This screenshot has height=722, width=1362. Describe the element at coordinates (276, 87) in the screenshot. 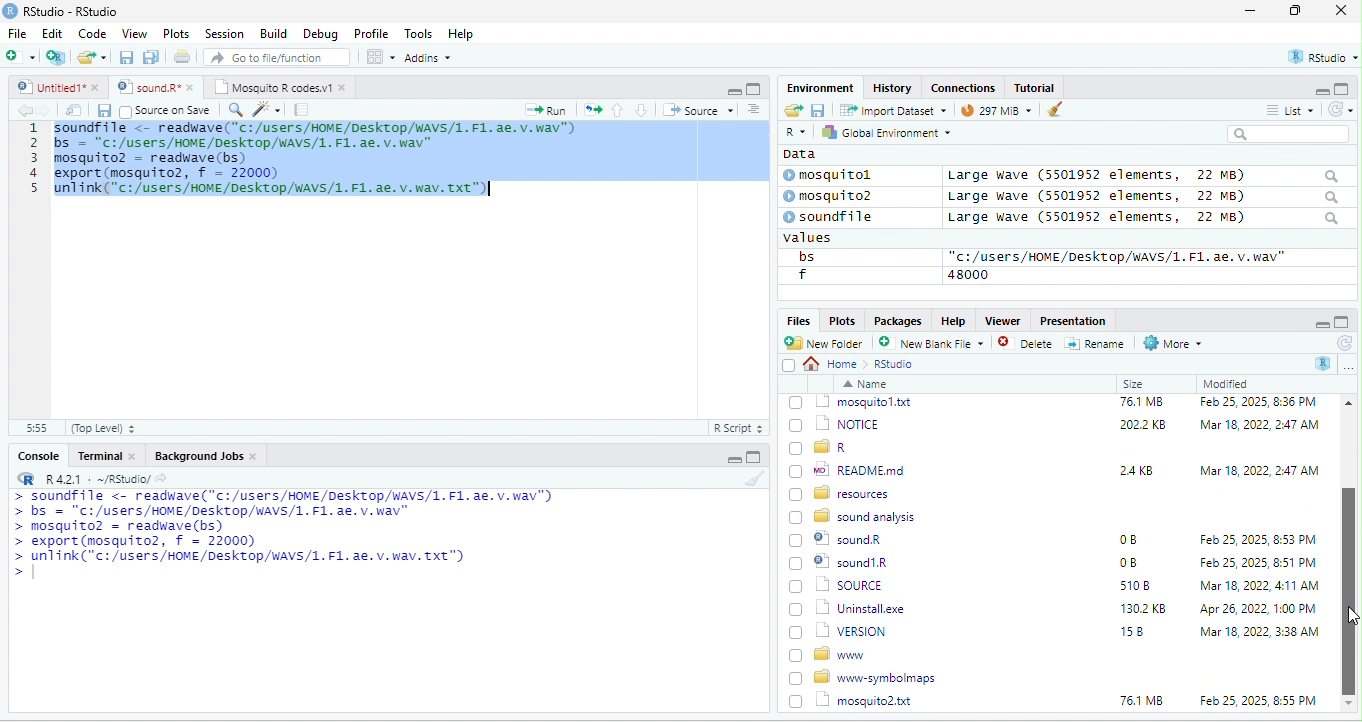

I see `Mosquito R codes.v1` at that location.